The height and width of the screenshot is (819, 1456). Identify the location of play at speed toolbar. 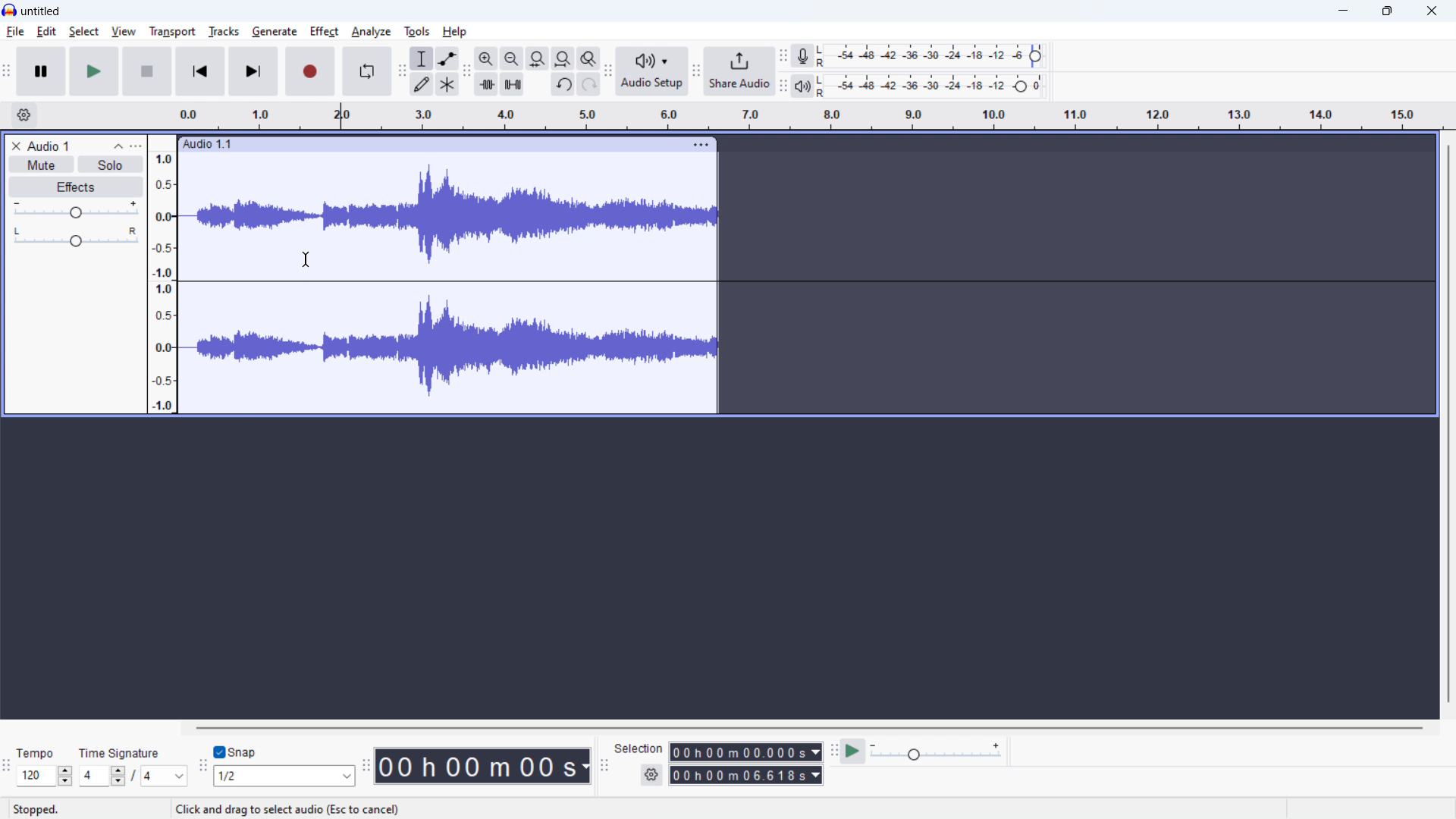
(833, 752).